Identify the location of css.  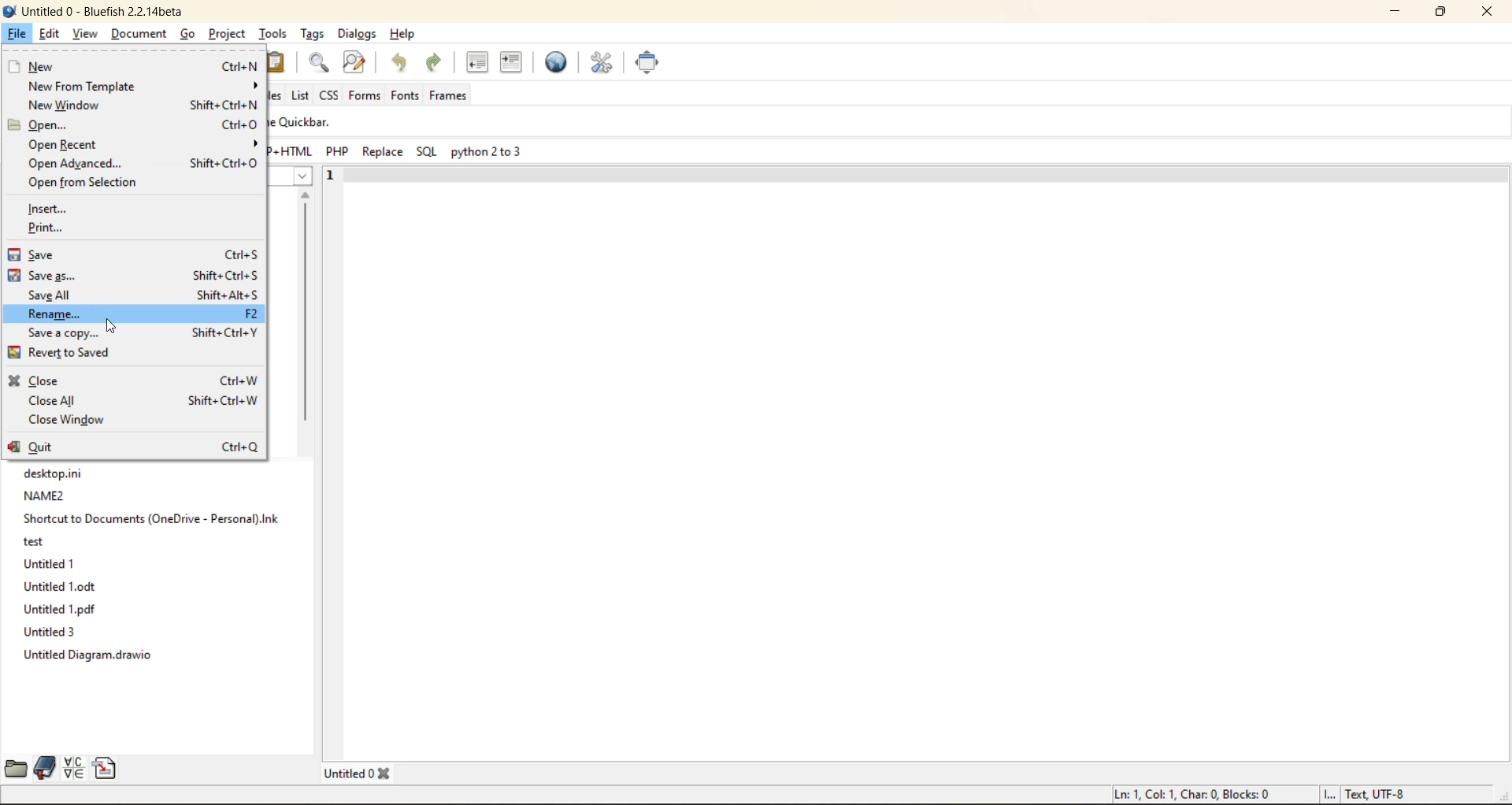
(330, 95).